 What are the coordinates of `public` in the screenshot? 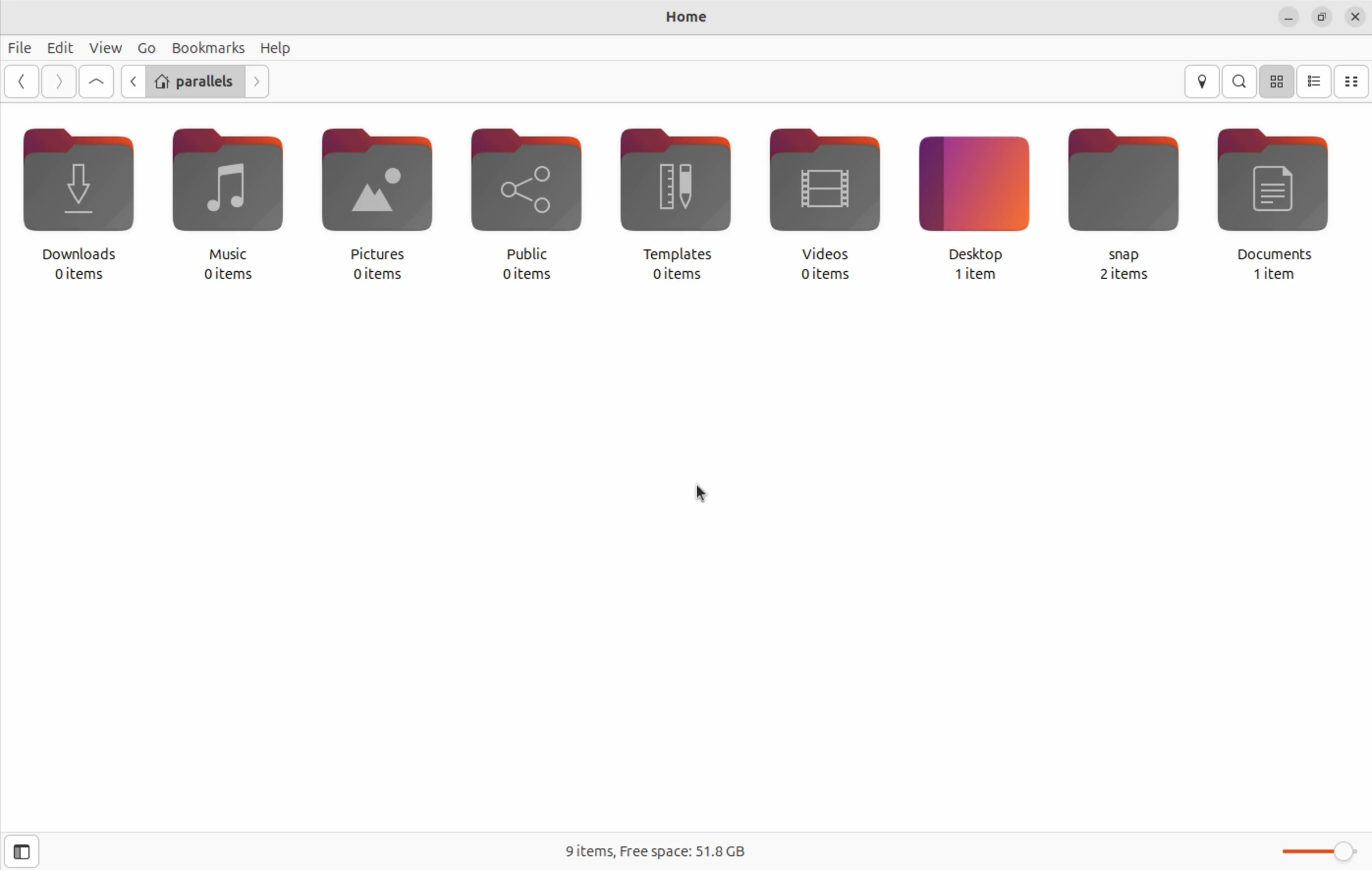 It's located at (529, 190).